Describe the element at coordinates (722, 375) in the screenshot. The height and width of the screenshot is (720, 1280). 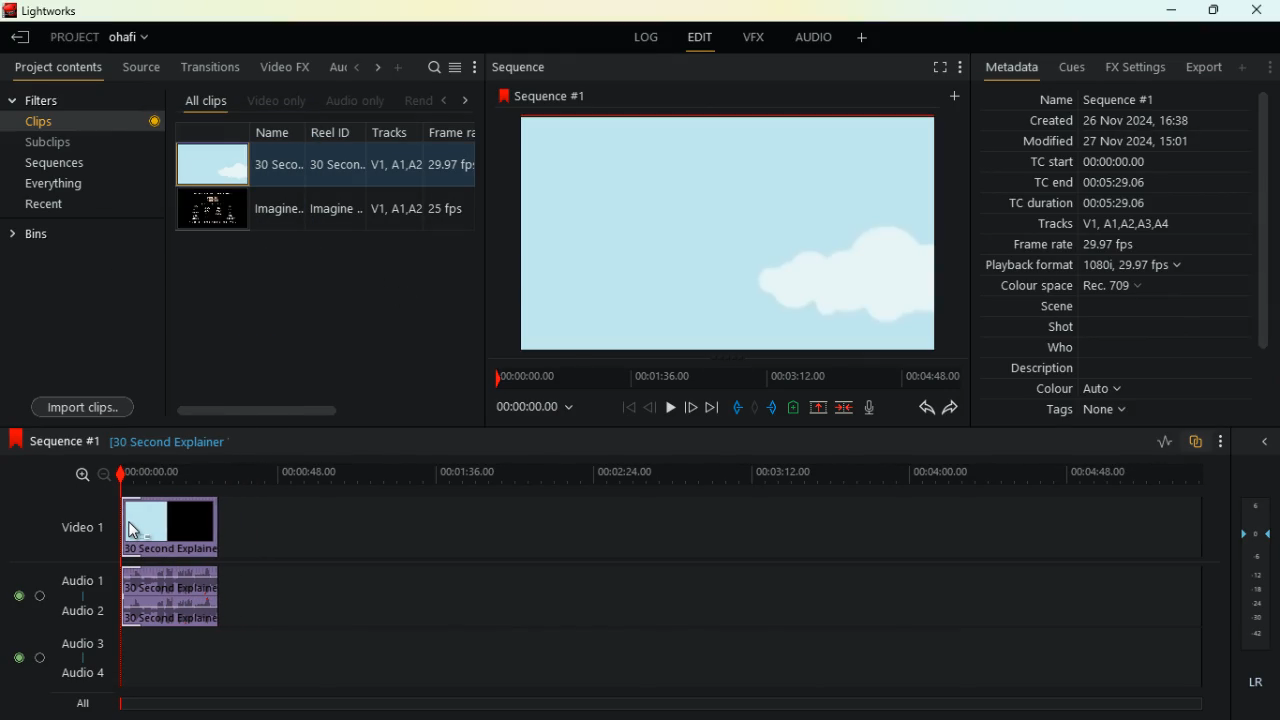
I see `timeline` at that location.